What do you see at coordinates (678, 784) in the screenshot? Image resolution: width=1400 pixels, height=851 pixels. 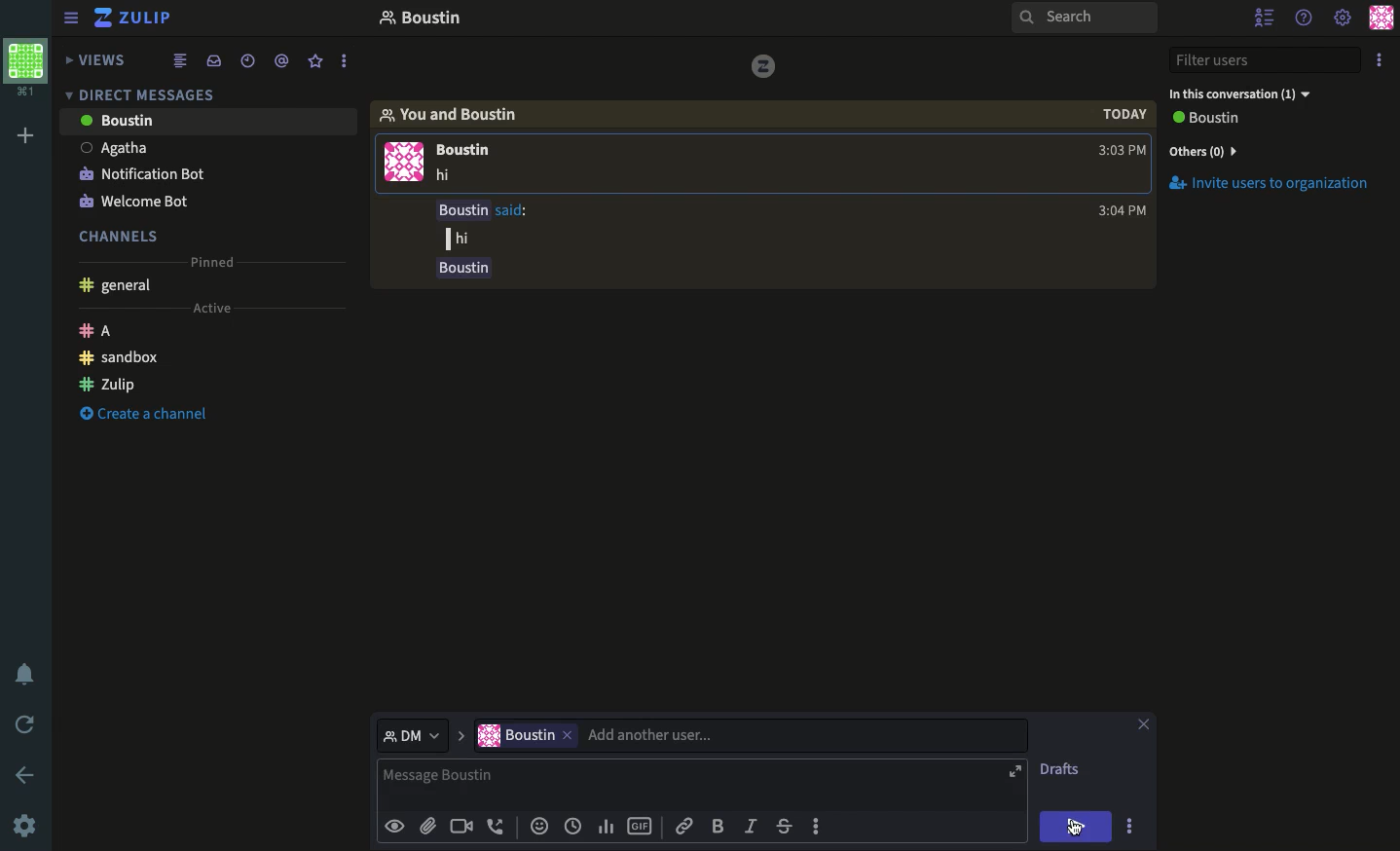 I see `Text` at bounding box center [678, 784].